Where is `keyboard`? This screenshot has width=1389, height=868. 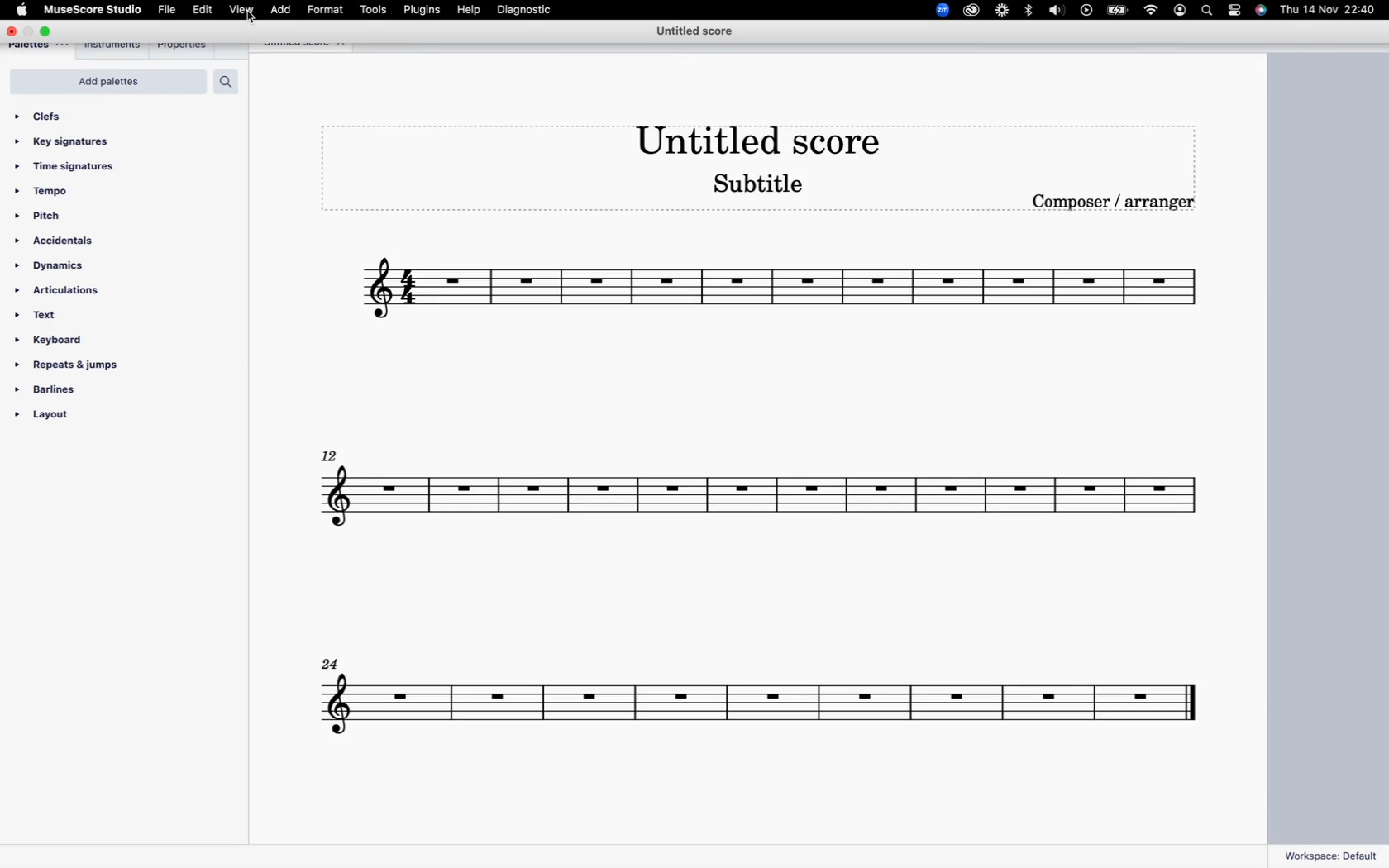
keyboard is located at coordinates (57, 340).